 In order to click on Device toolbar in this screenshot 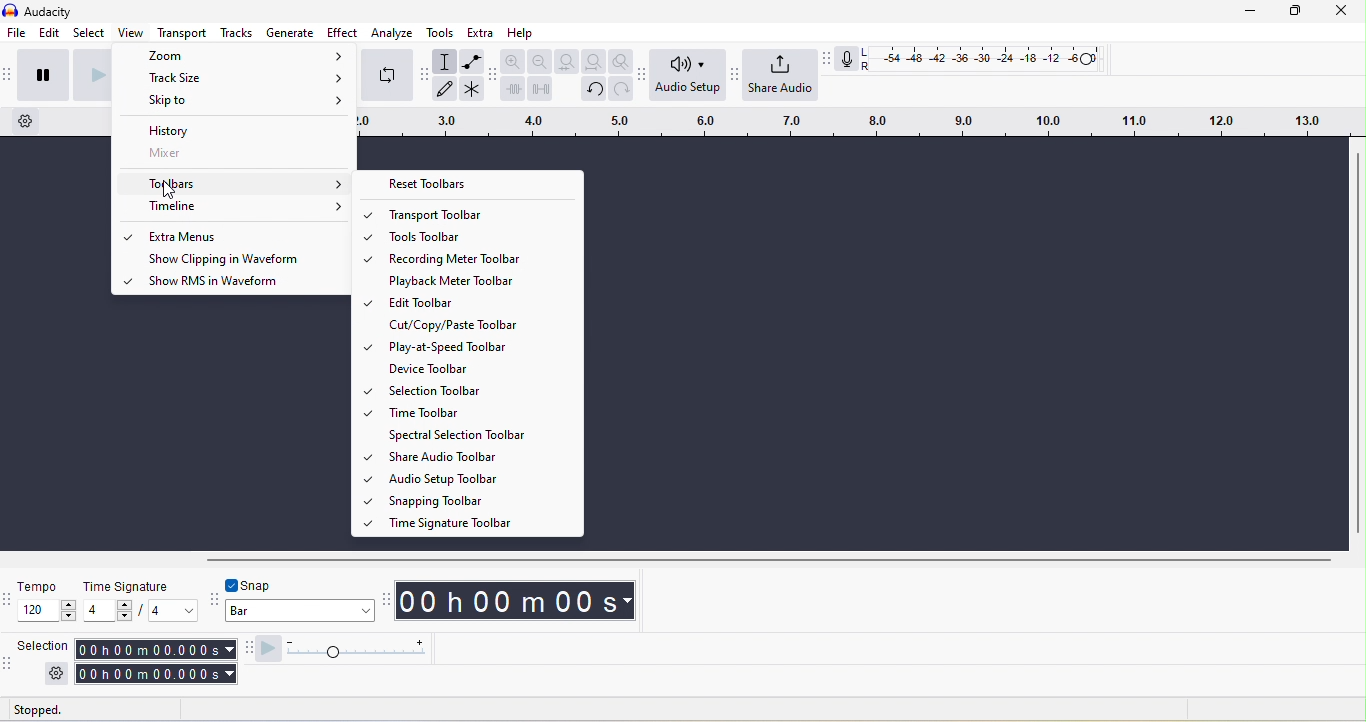, I will do `click(480, 369)`.